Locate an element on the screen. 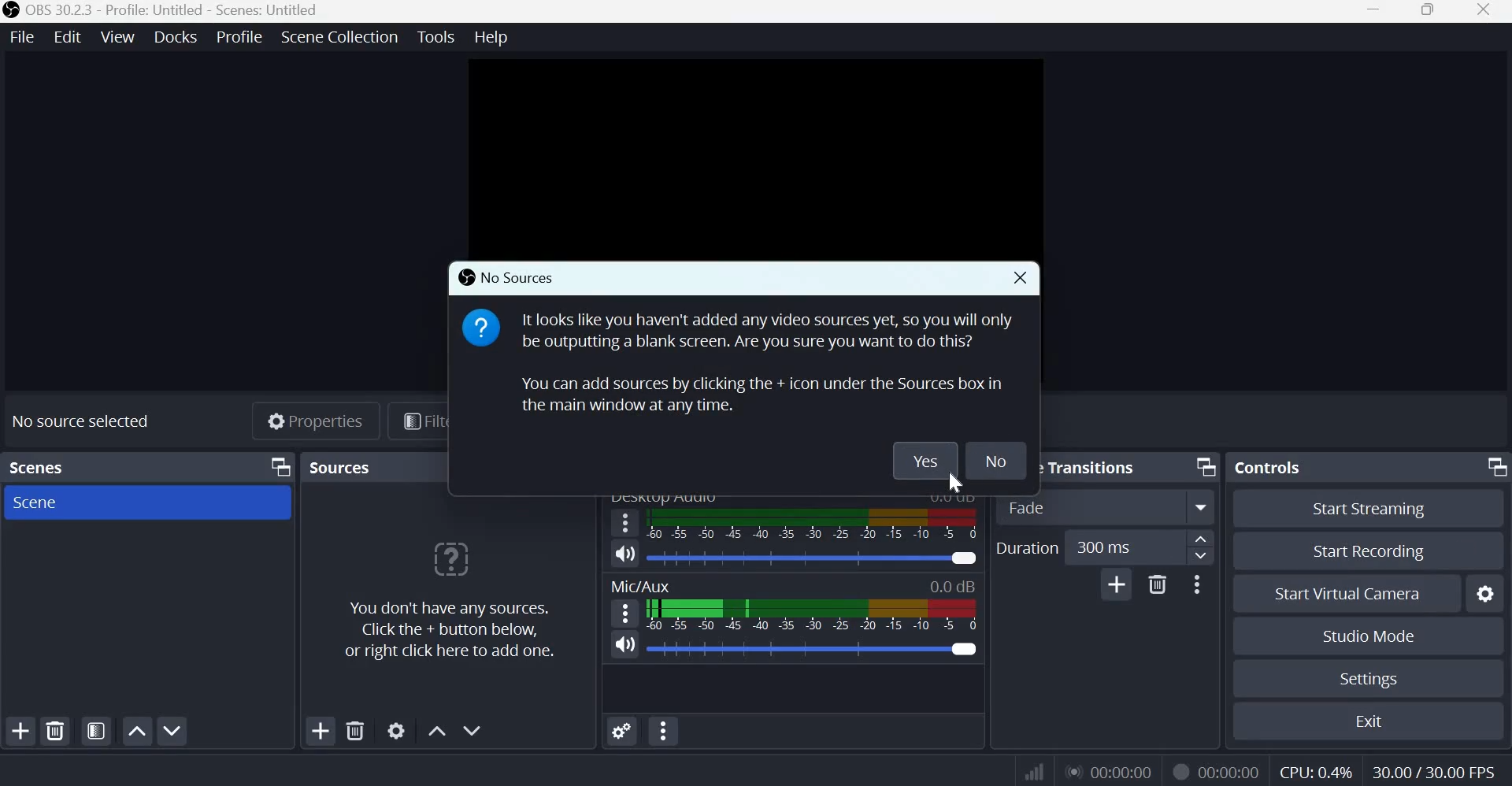  Configure virtual camera is located at coordinates (1483, 594).